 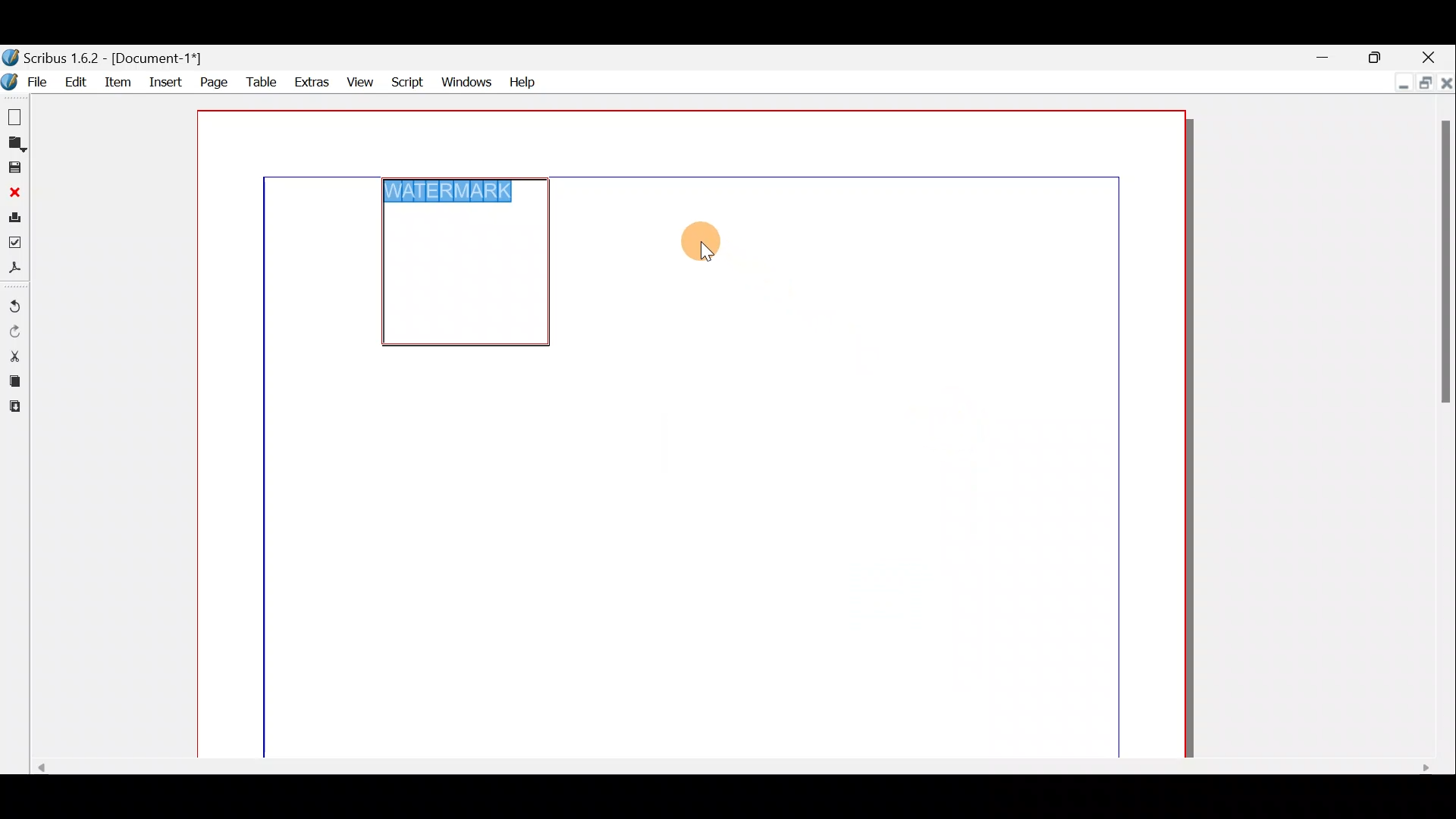 I want to click on Edit, so click(x=77, y=81).